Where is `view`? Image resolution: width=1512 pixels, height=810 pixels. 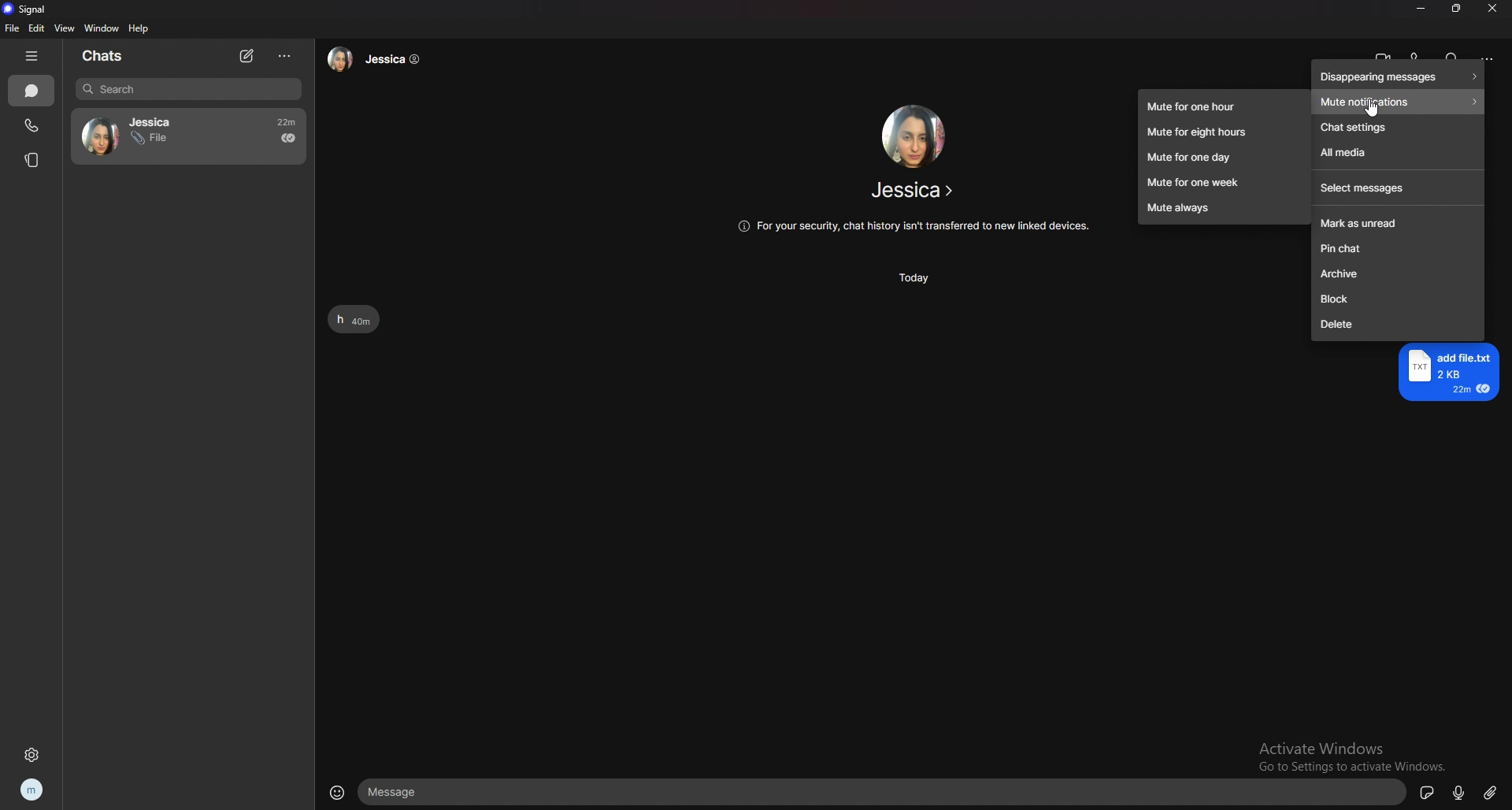 view is located at coordinates (65, 27).